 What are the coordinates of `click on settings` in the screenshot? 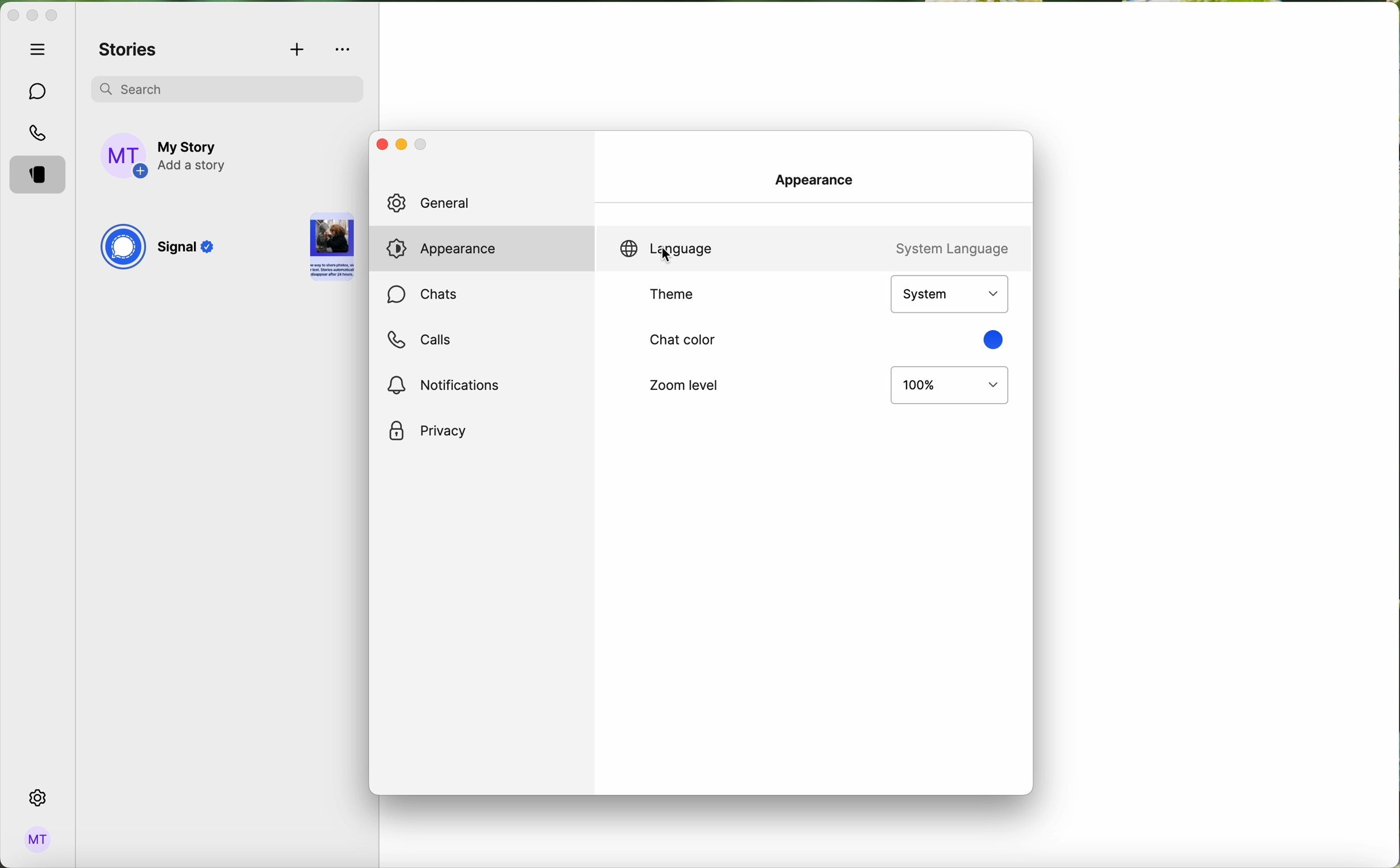 It's located at (38, 799).